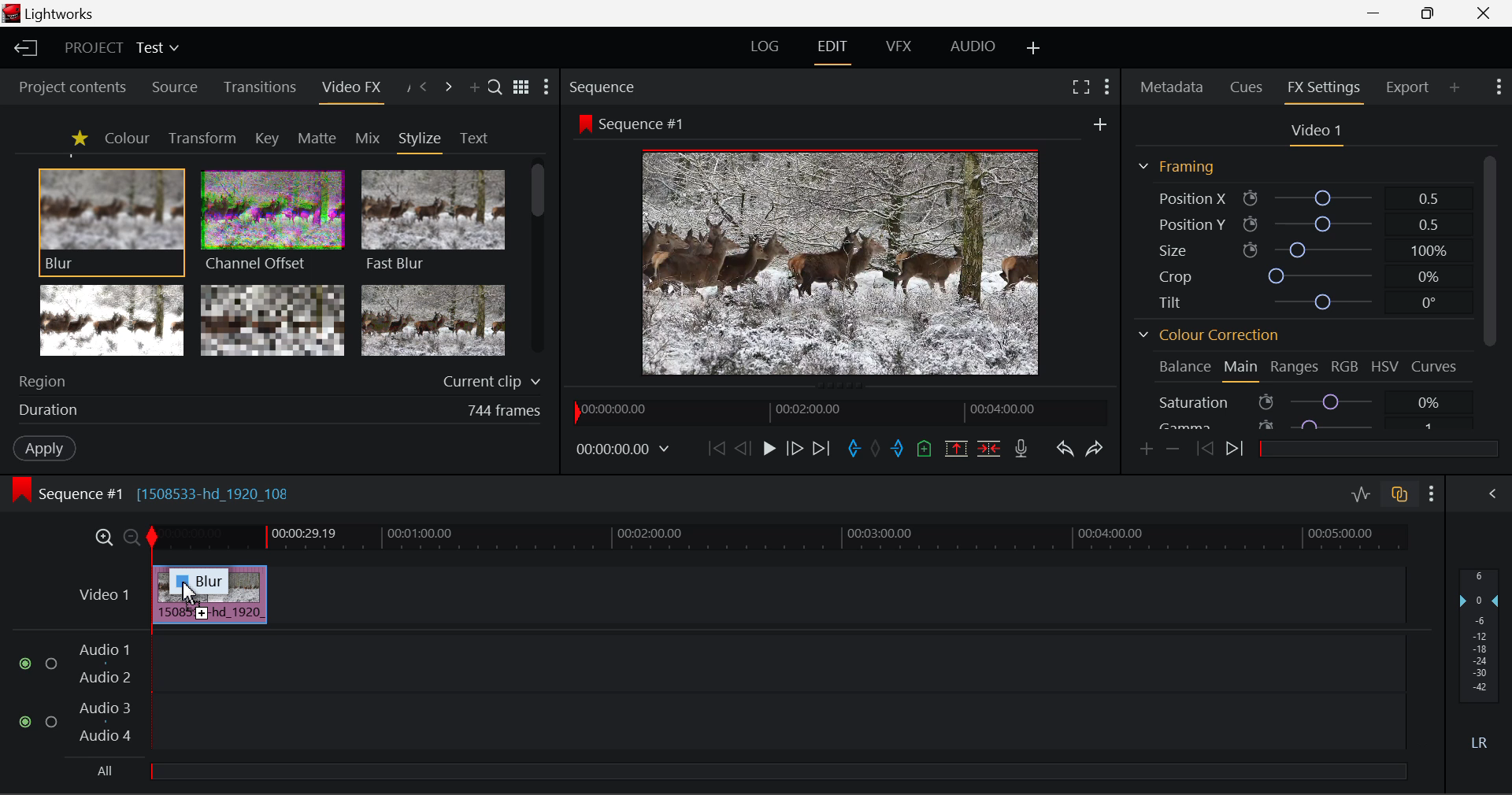 This screenshot has height=795, width=1512. Describe the element at coordinates (103, 538) in the screenshot. I see `Timeline Zoom In` at that location.